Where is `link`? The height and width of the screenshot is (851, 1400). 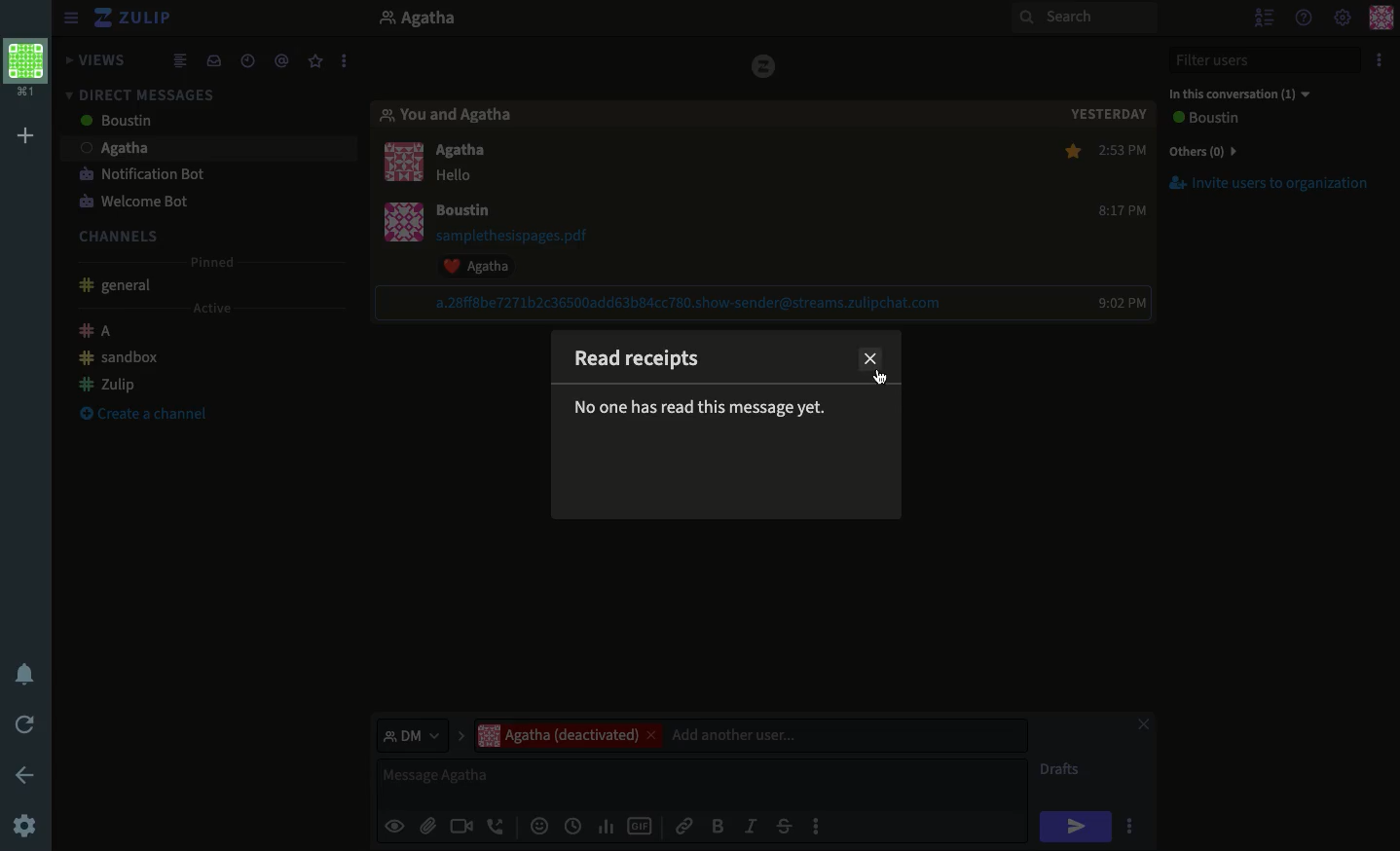 link is located at coordinates (690, 303).